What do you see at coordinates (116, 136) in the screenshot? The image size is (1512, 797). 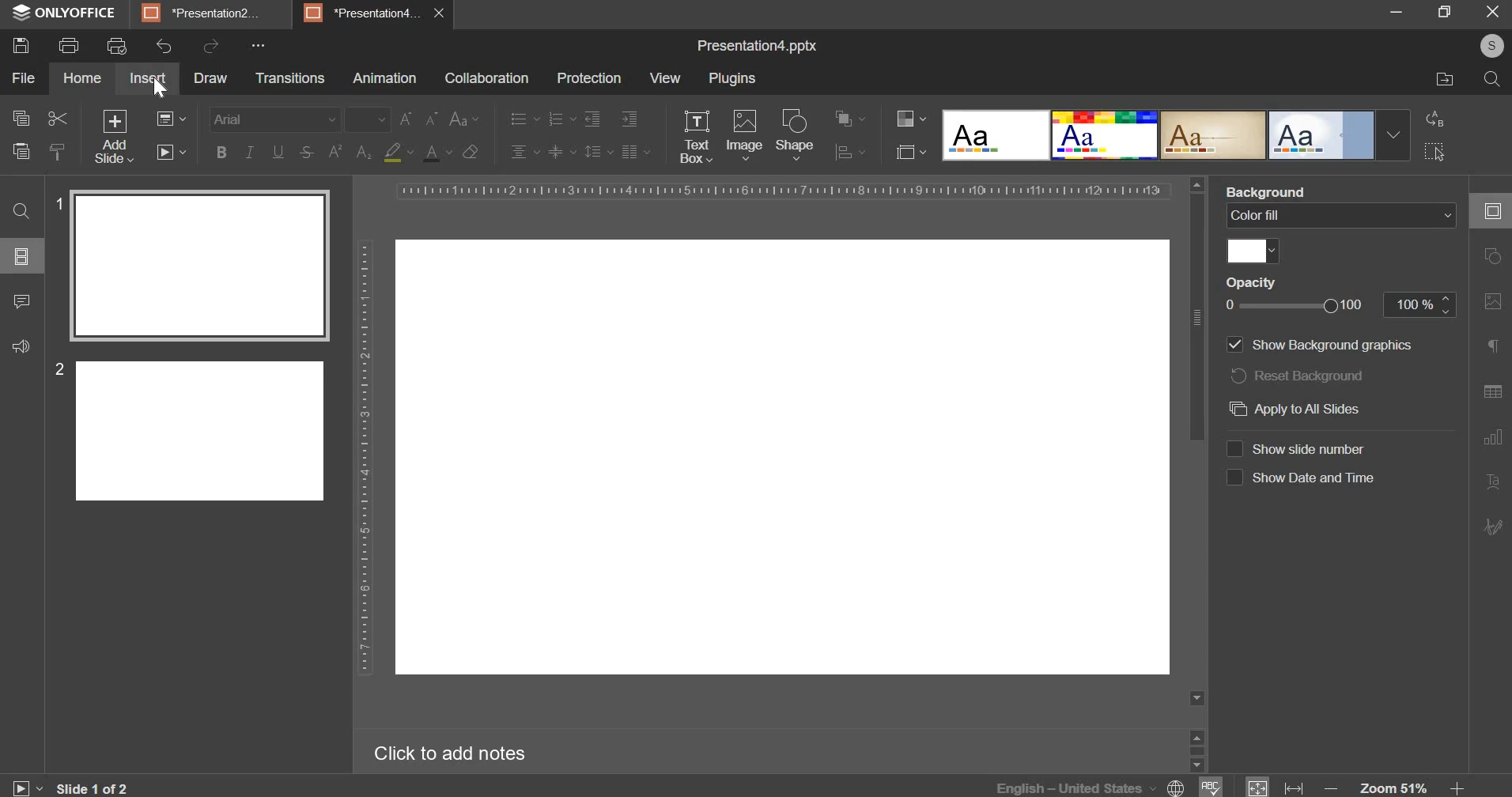 I see `add new slide` at bounding box center [116, 136].